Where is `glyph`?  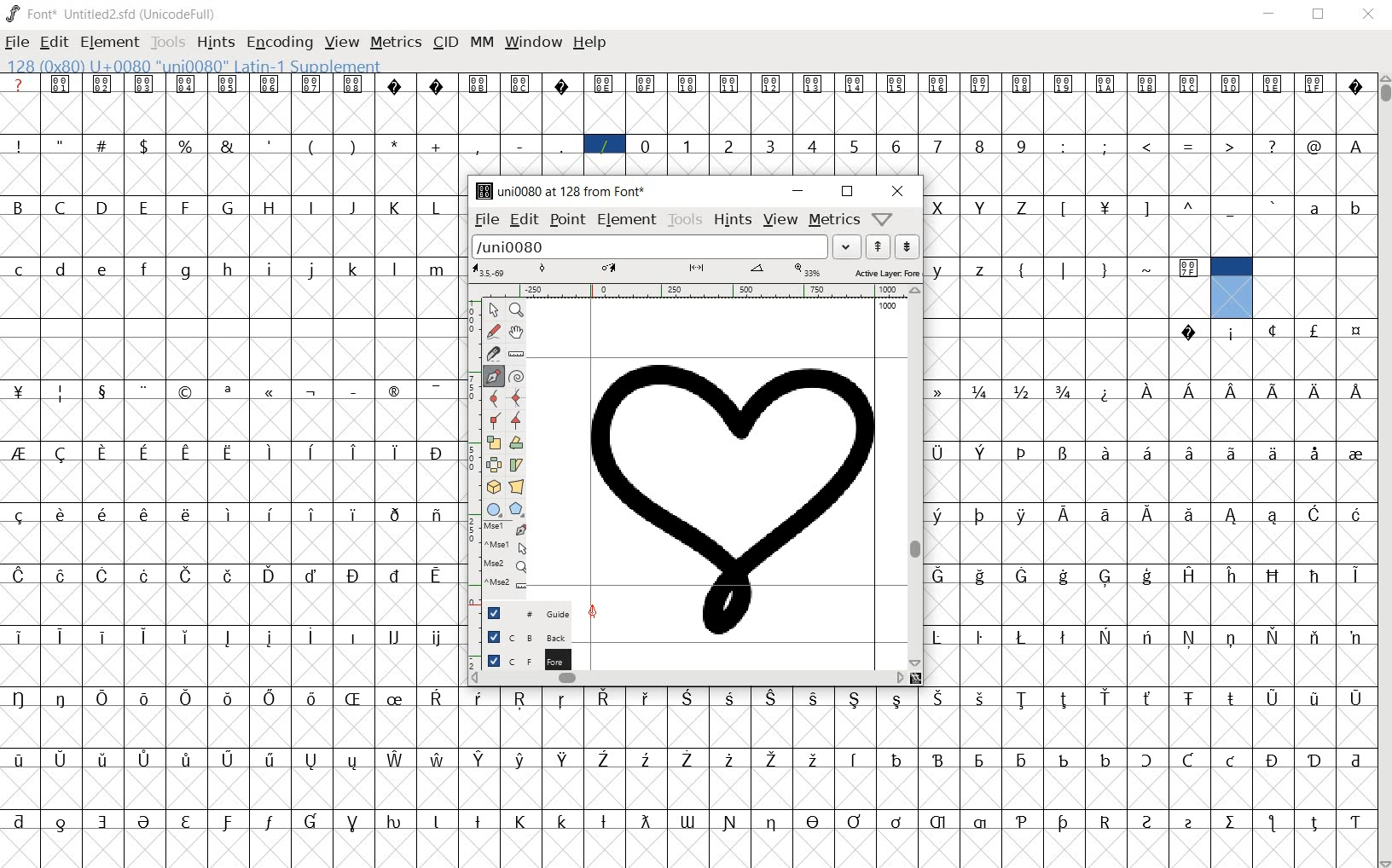
glyph is located at coordinates (186, 822).